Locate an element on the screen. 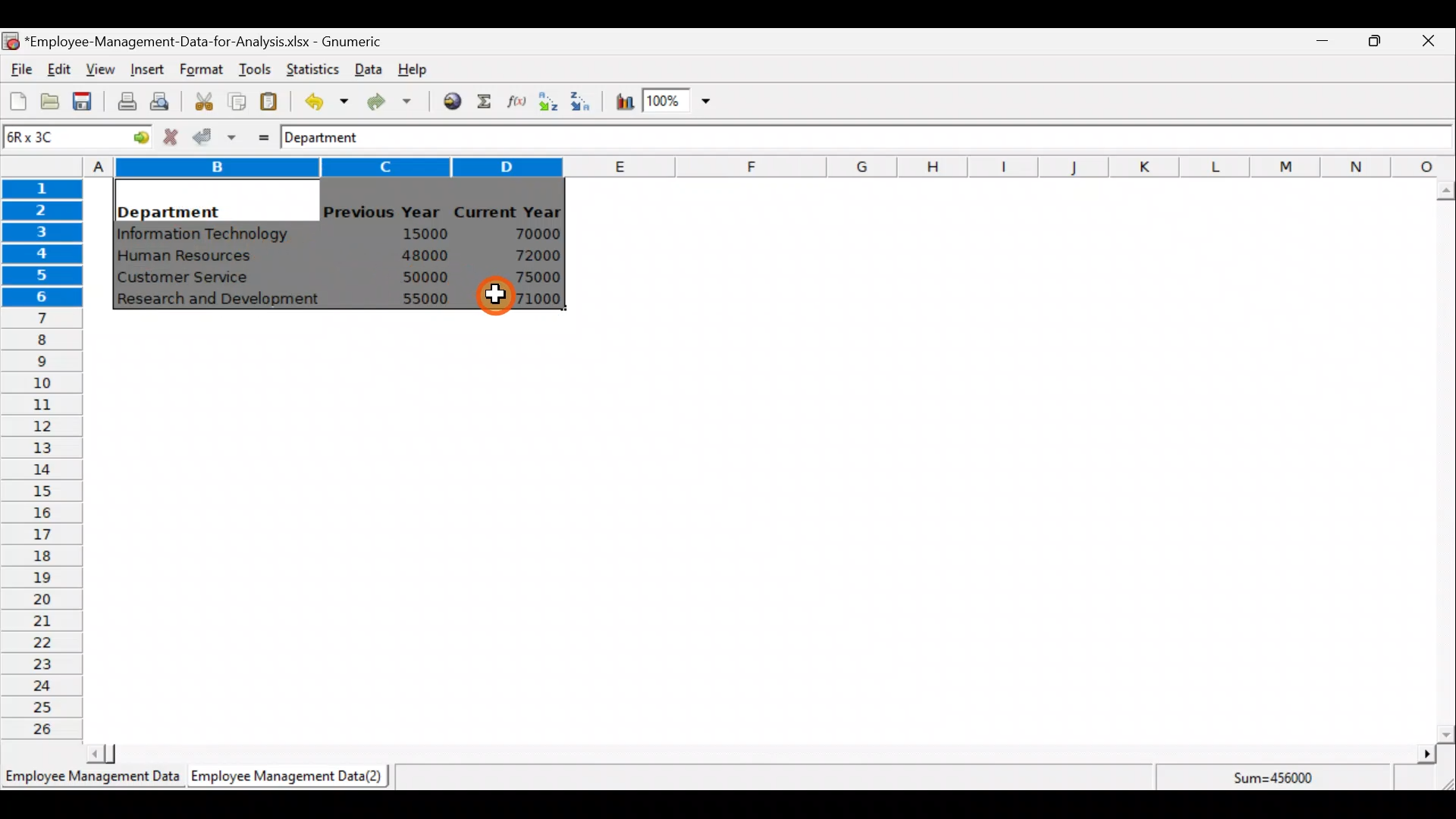 Image resolution: width=1456 pixels, height=819 pixels. Print preview is located at coordinates (159, 99).